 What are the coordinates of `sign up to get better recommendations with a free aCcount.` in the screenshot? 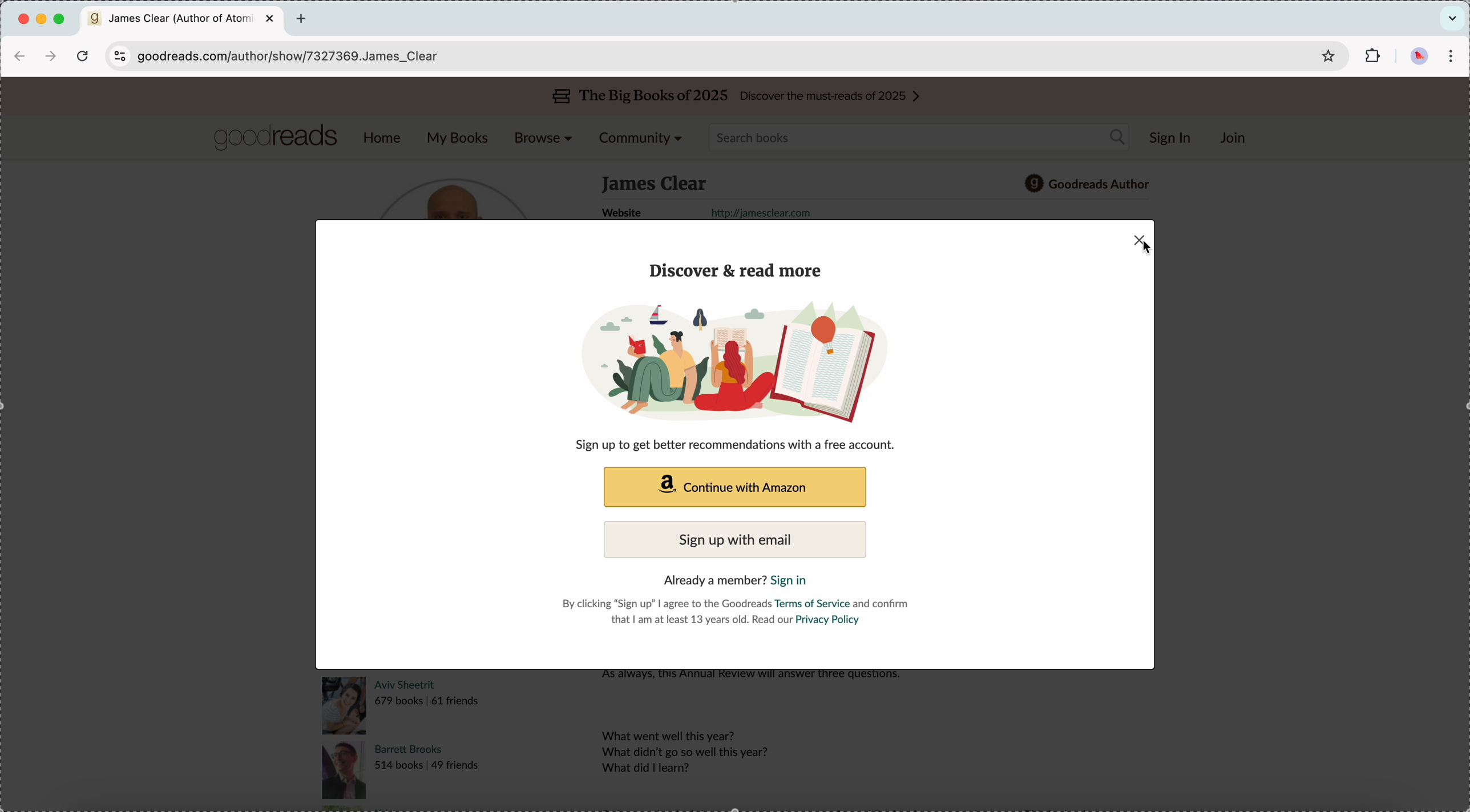 It's located at (742, 445).